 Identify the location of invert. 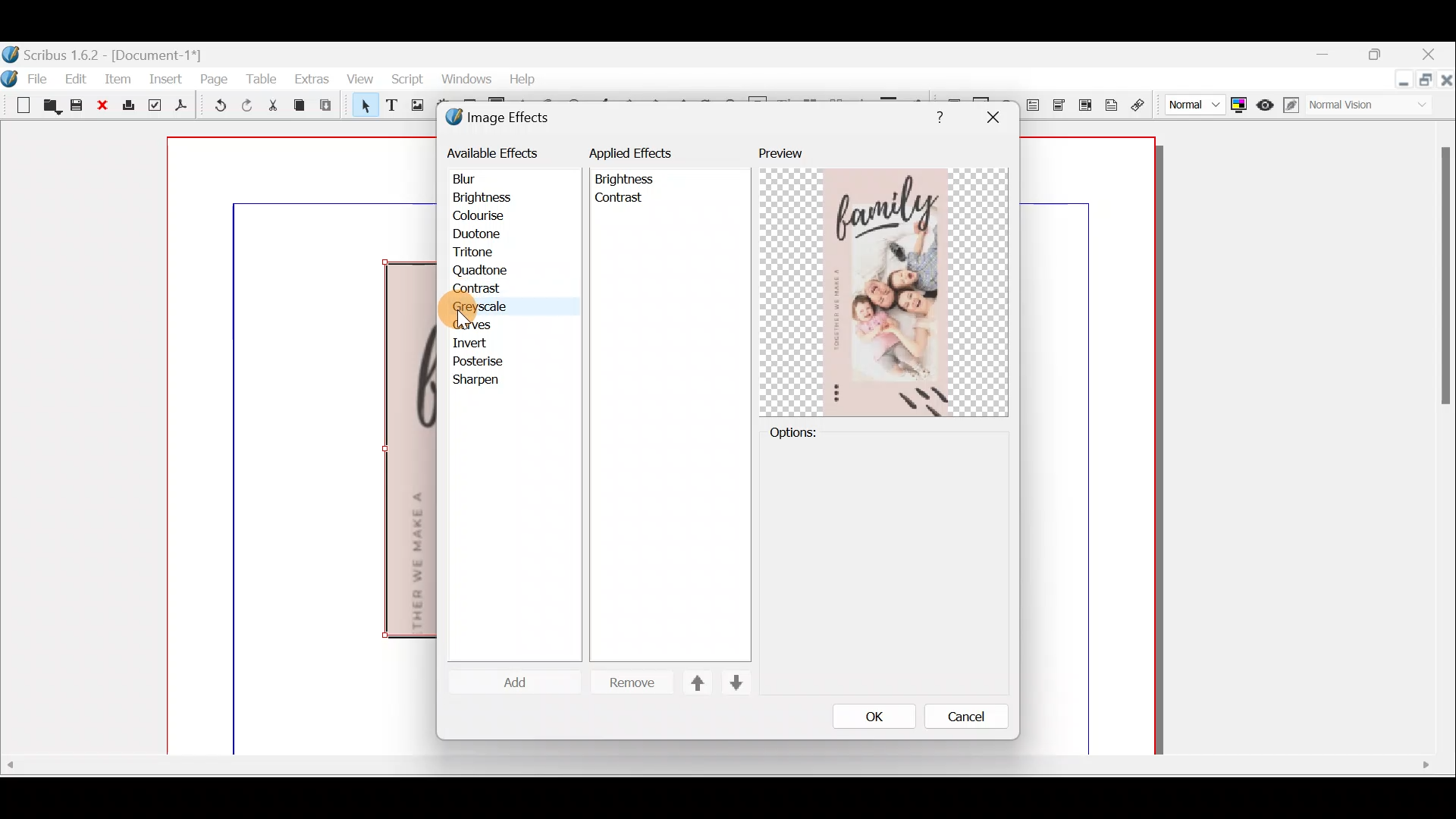
(479, 344).